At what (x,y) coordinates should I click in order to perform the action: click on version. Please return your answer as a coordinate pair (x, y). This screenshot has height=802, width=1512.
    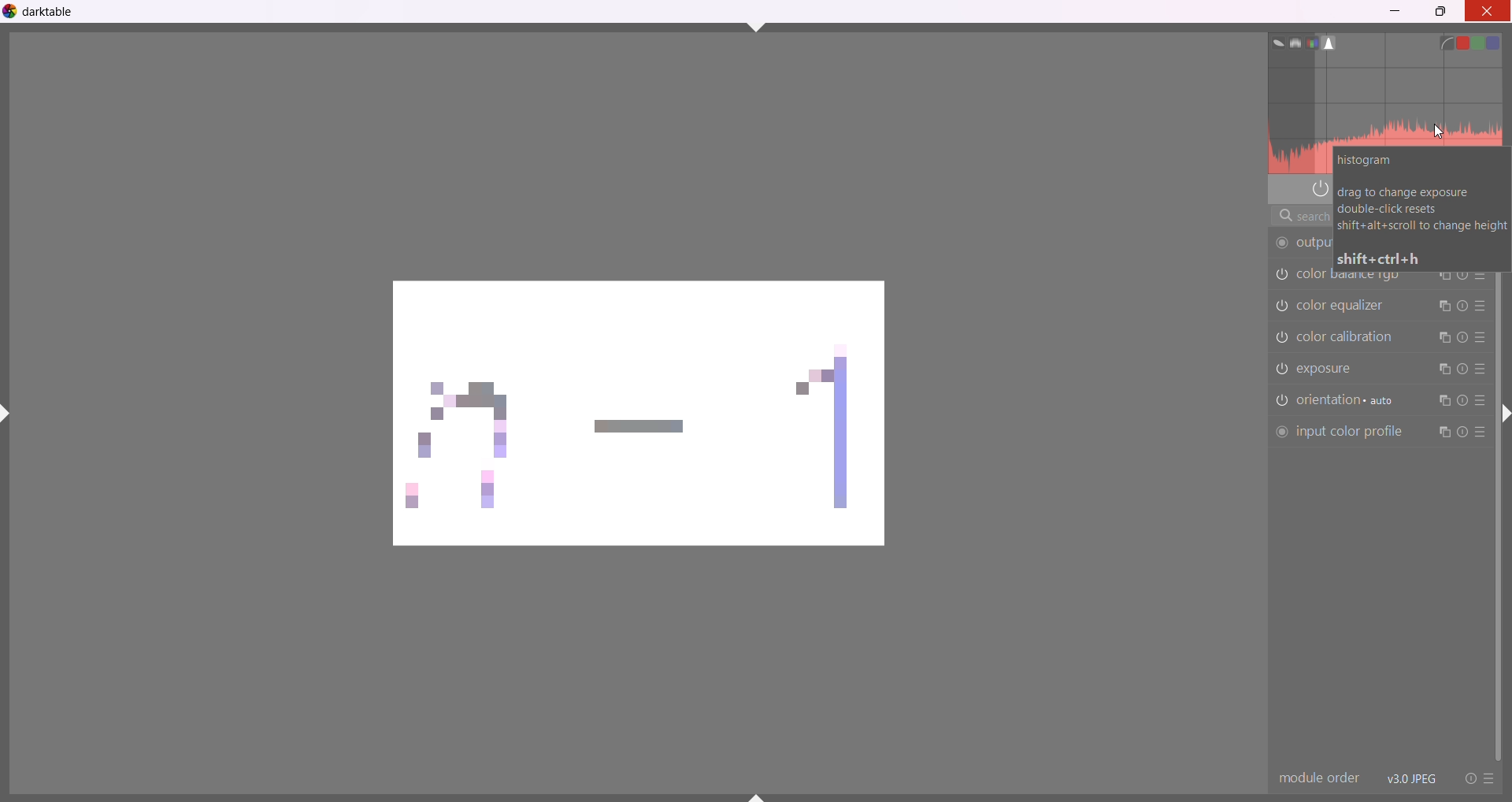
    Looking at the image, I should click on (1412, 778).